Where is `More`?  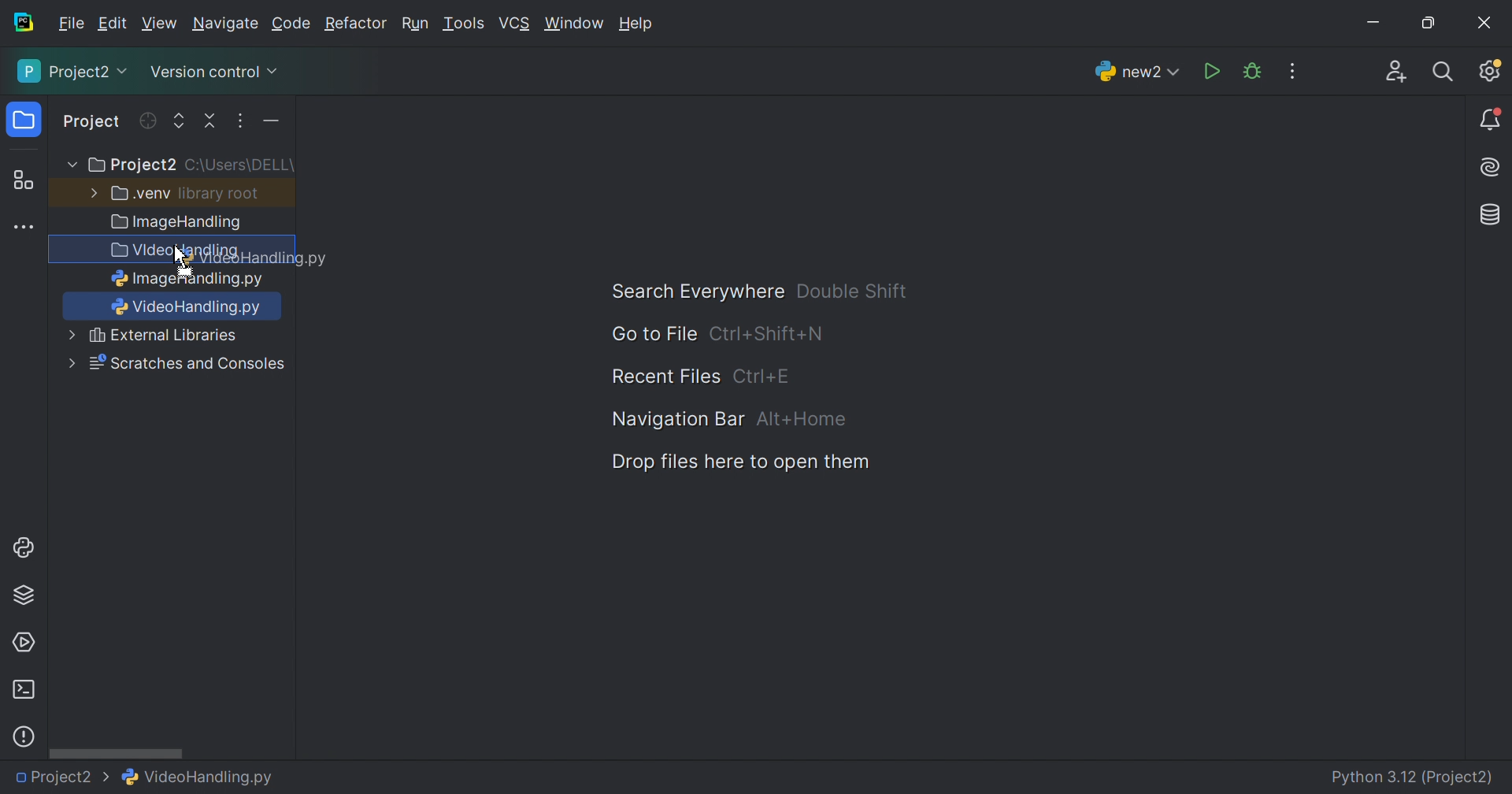
More is located at coordinates (69, 165).